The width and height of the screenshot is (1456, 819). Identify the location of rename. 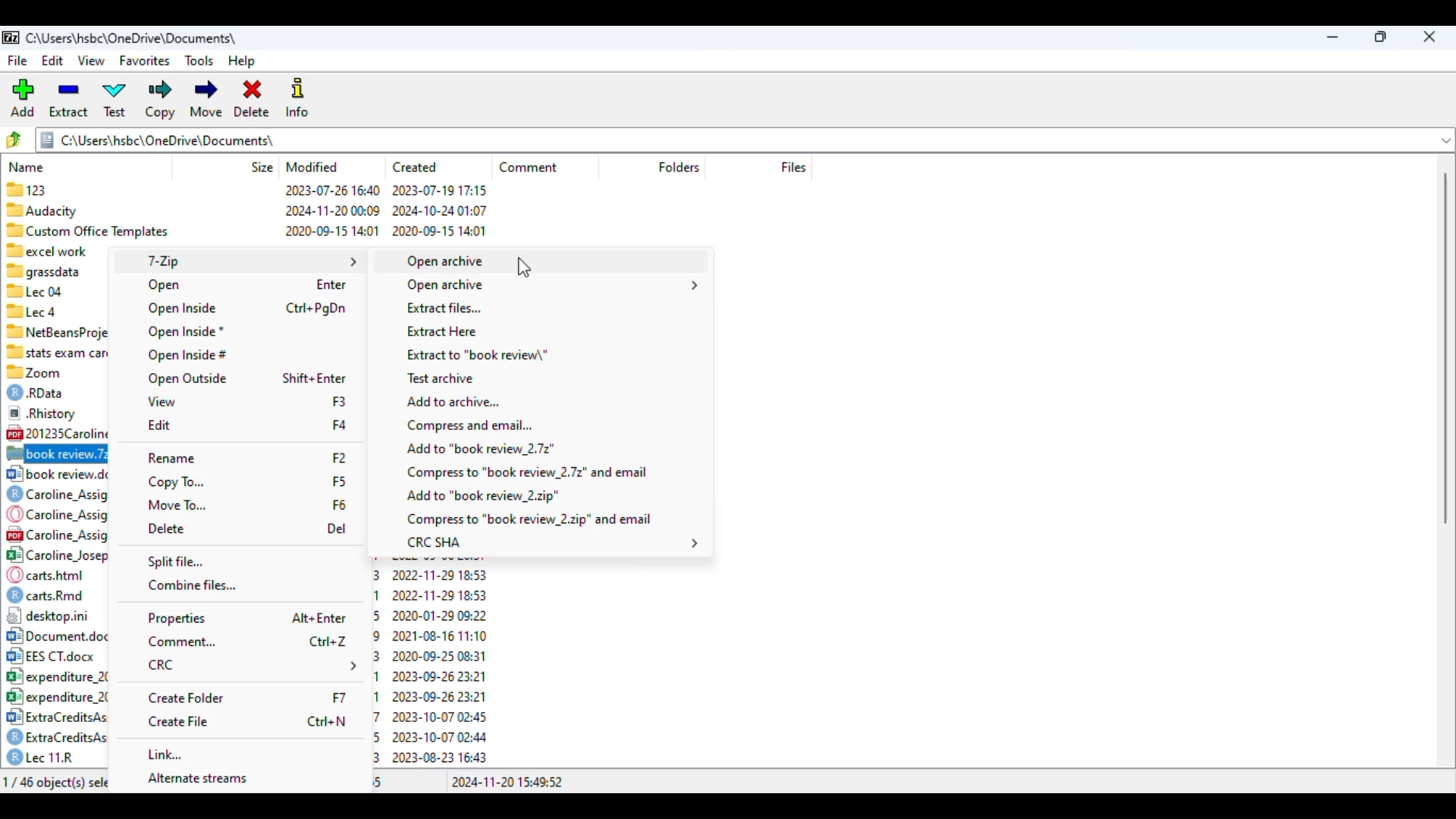
(173, 458).